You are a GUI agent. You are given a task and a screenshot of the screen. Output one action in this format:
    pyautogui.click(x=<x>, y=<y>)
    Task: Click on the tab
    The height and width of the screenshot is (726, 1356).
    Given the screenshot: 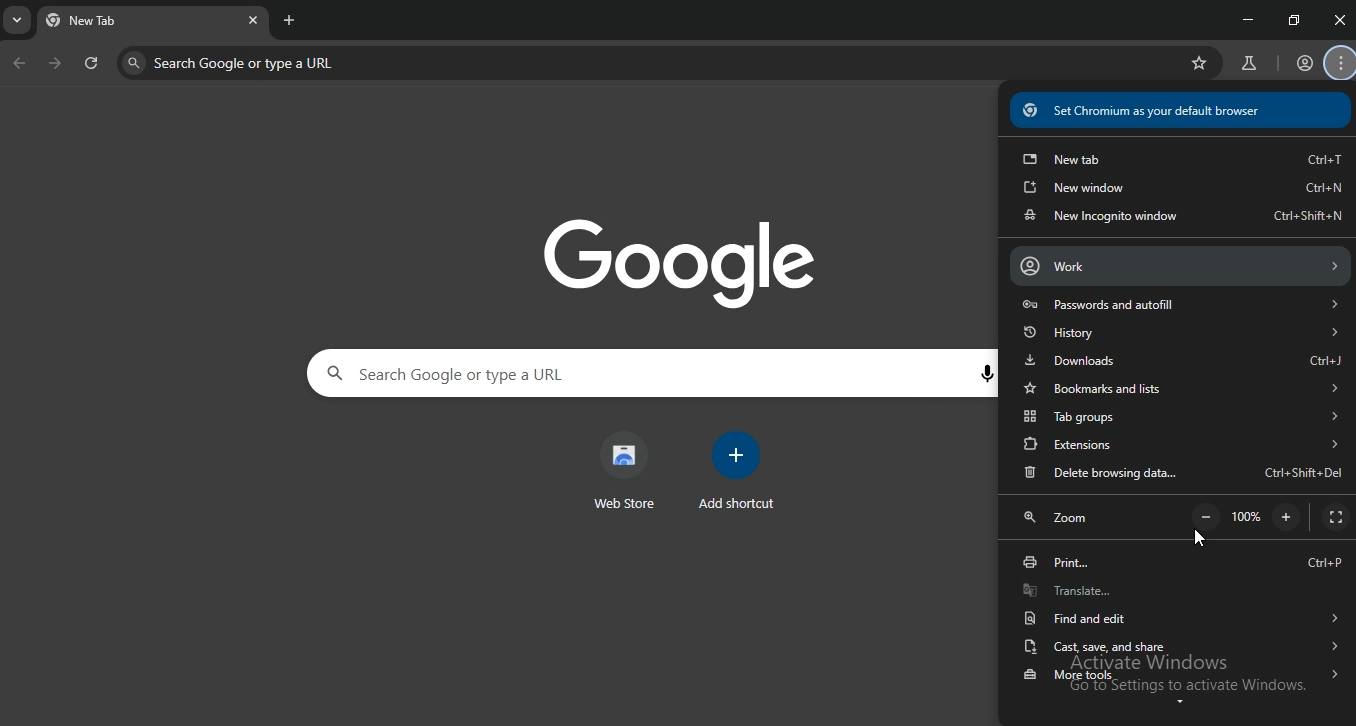 What is the action you would take?
    pyautogui.click(x=113, y=23)
    